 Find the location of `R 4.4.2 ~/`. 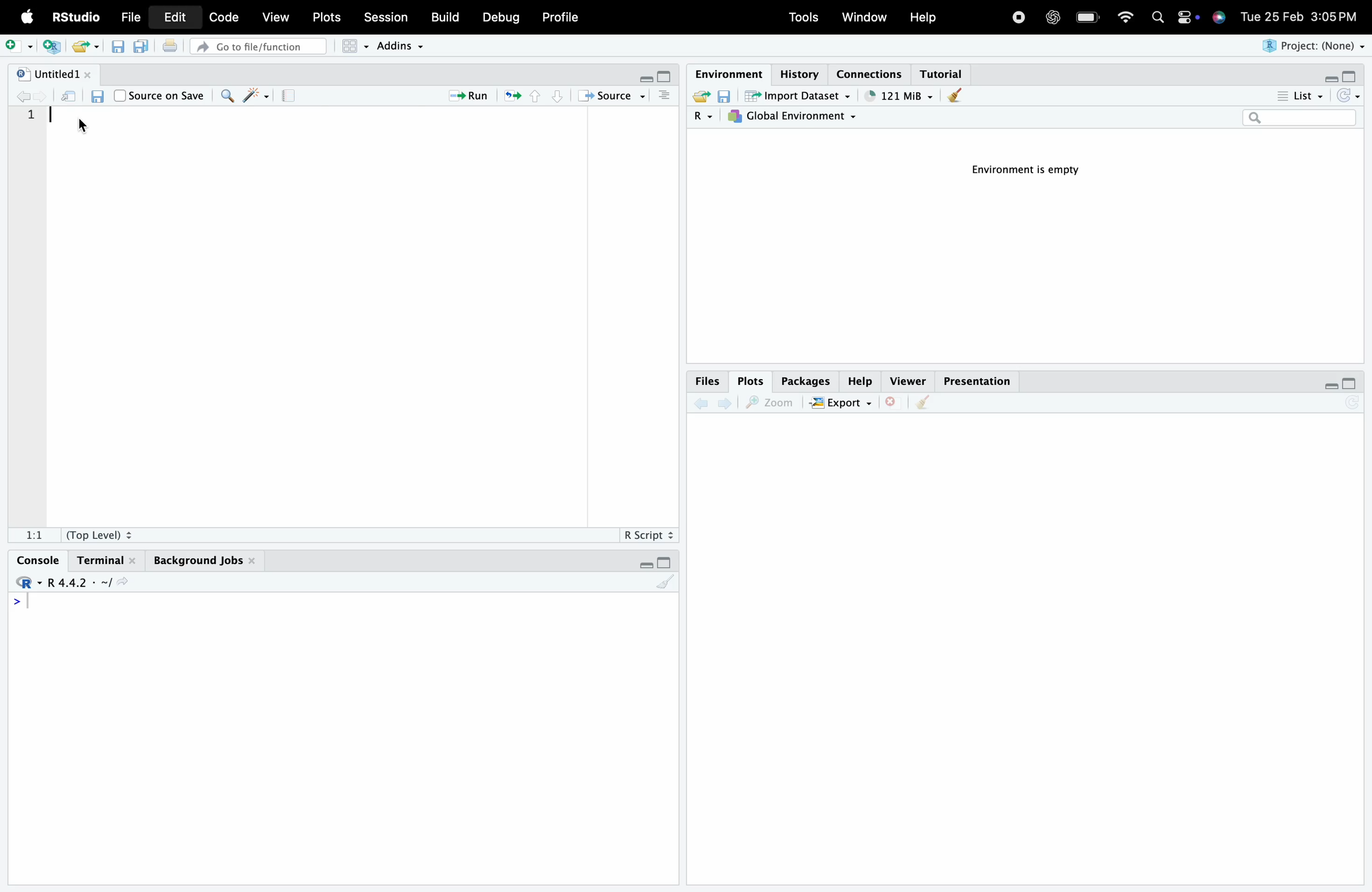

R 4.4.2 ~/ is located at coordinates (81, 581).